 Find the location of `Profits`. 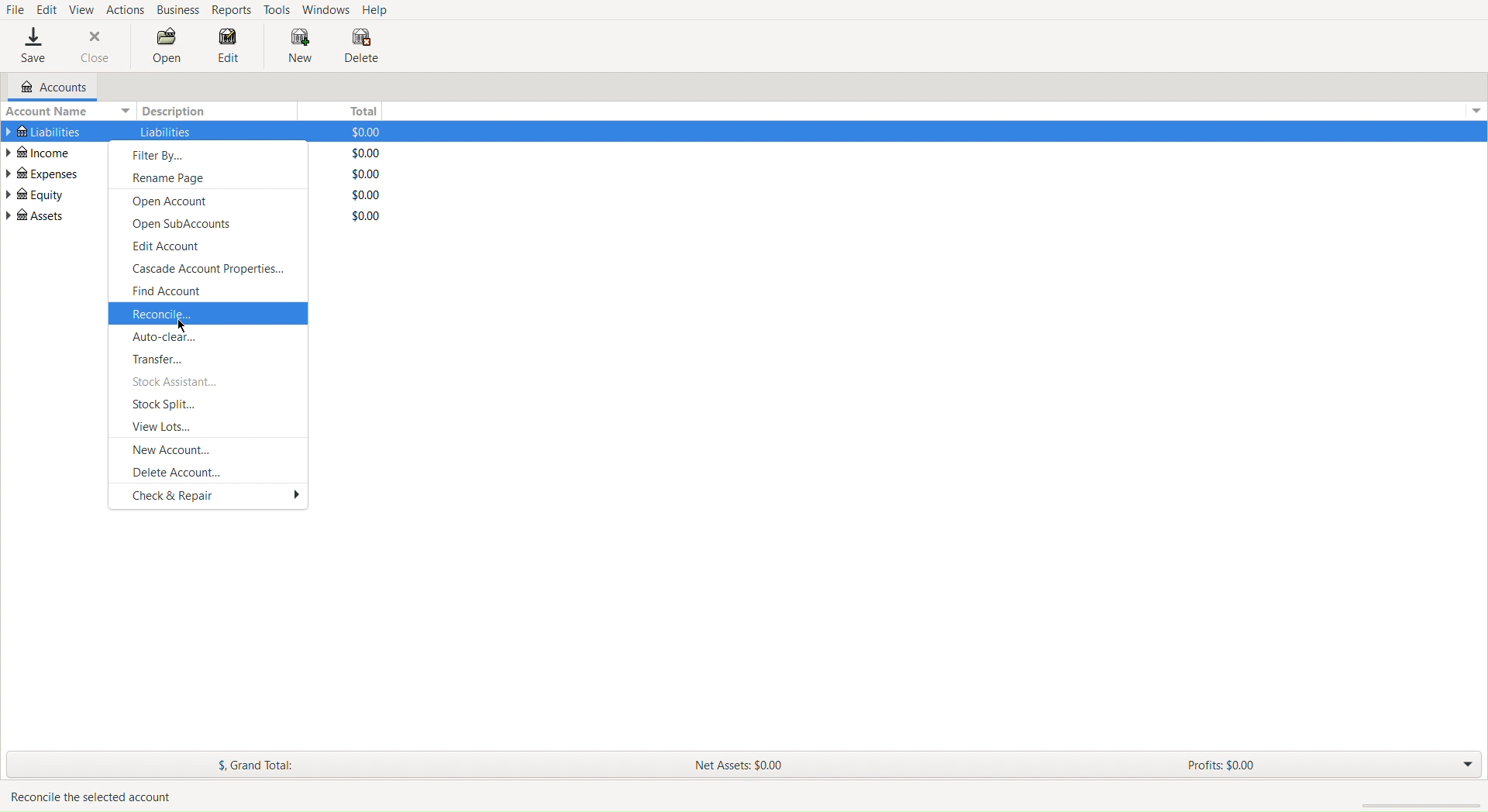

Profits is located at coordinates (1222, 765).